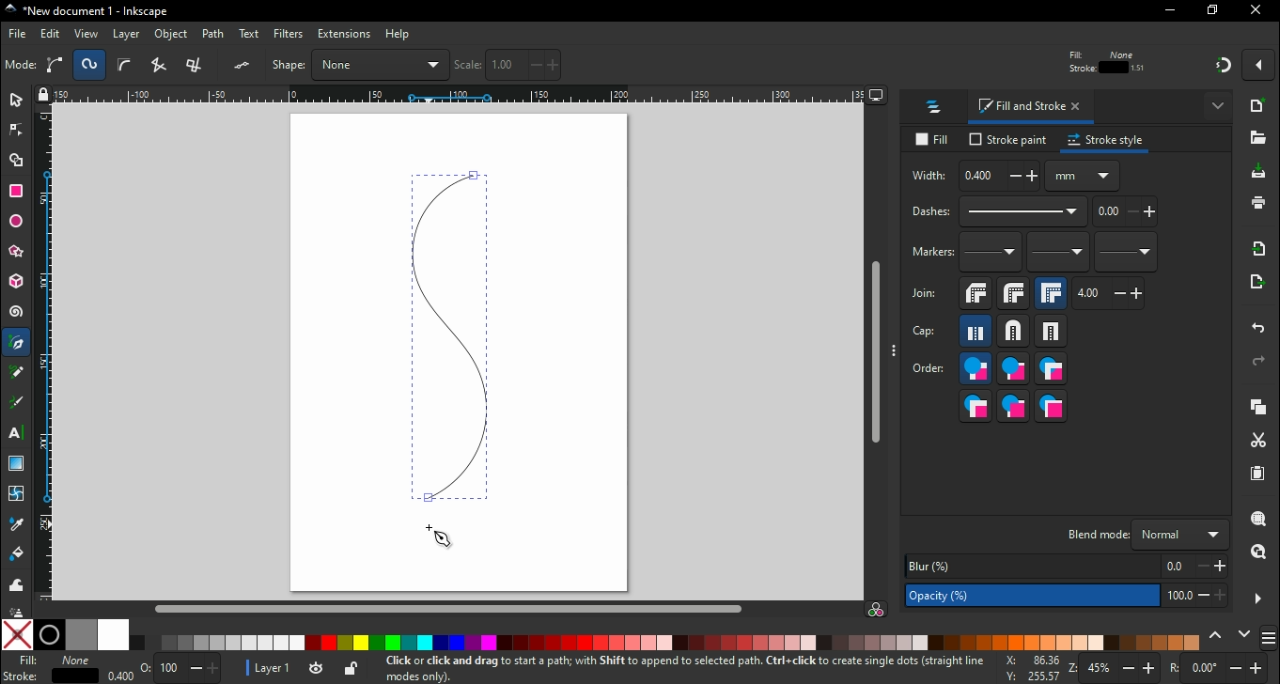  What do you see at coordinates (874, 354) in the screenshot?
I see `scroll bar` at bounding box center [874, 354].